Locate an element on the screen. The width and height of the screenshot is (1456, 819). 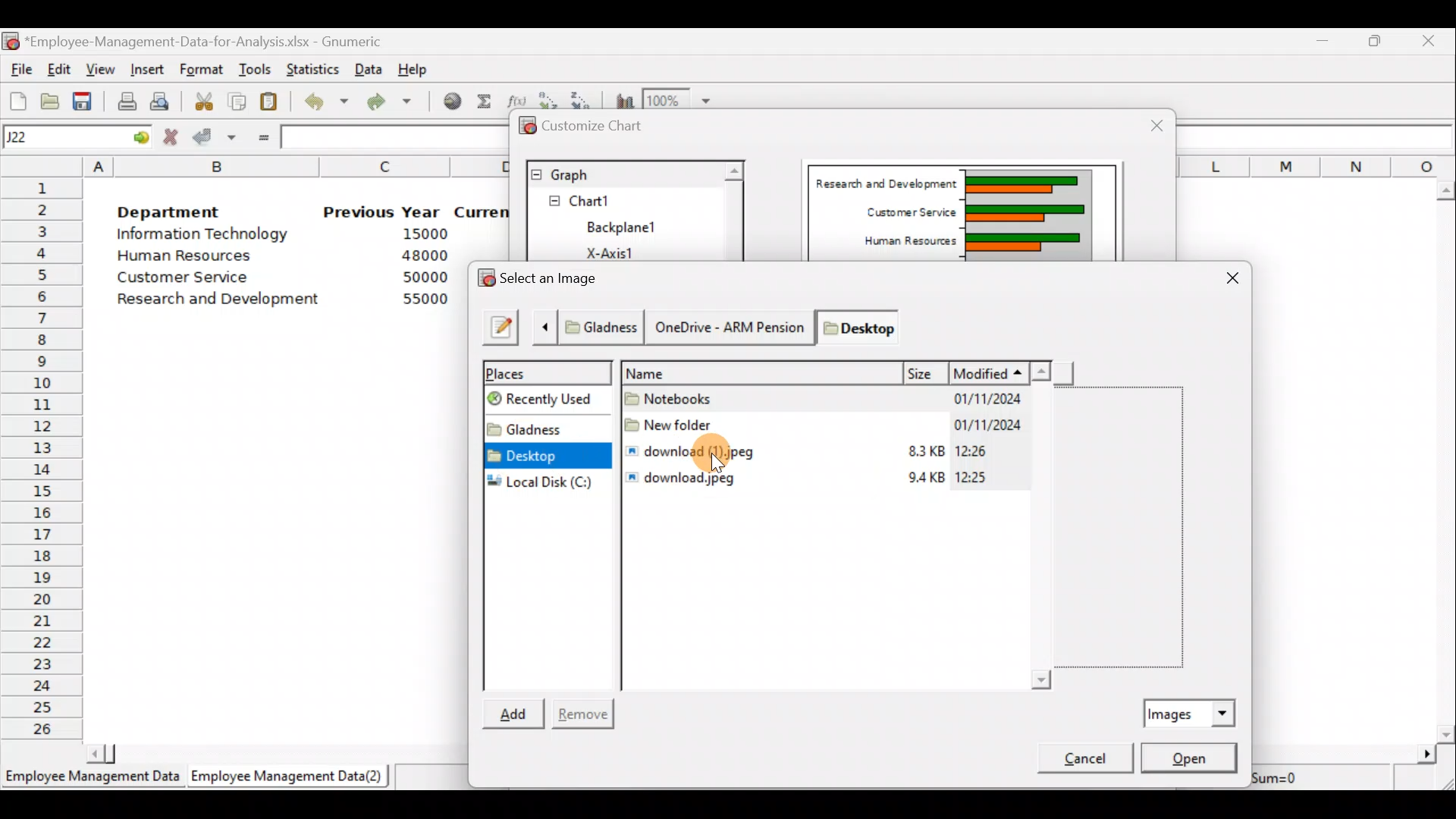
Minimize is located at coordinates (1324, 42).